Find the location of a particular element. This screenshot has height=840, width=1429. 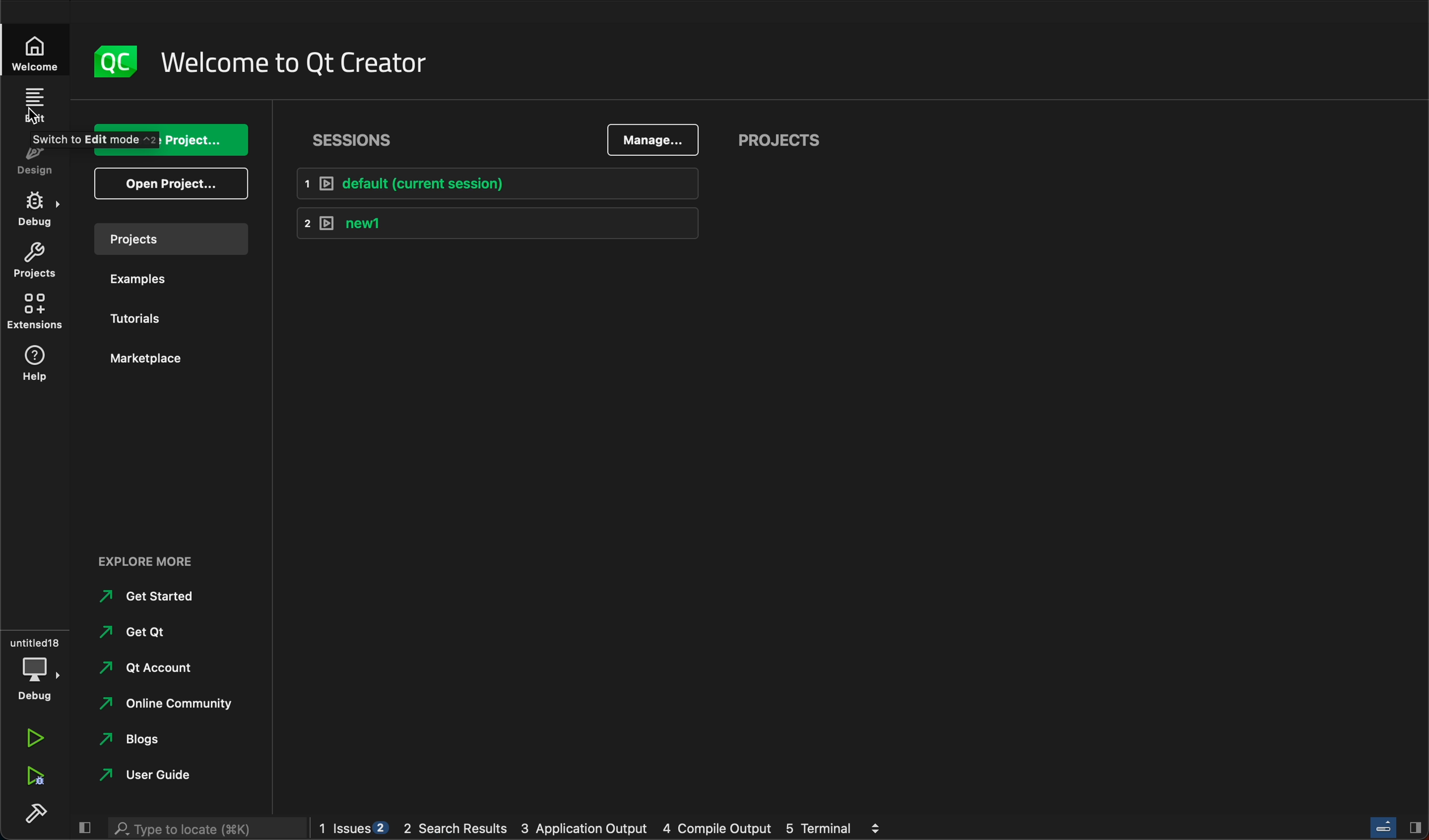

search bar is located at coordinates (208, 829).